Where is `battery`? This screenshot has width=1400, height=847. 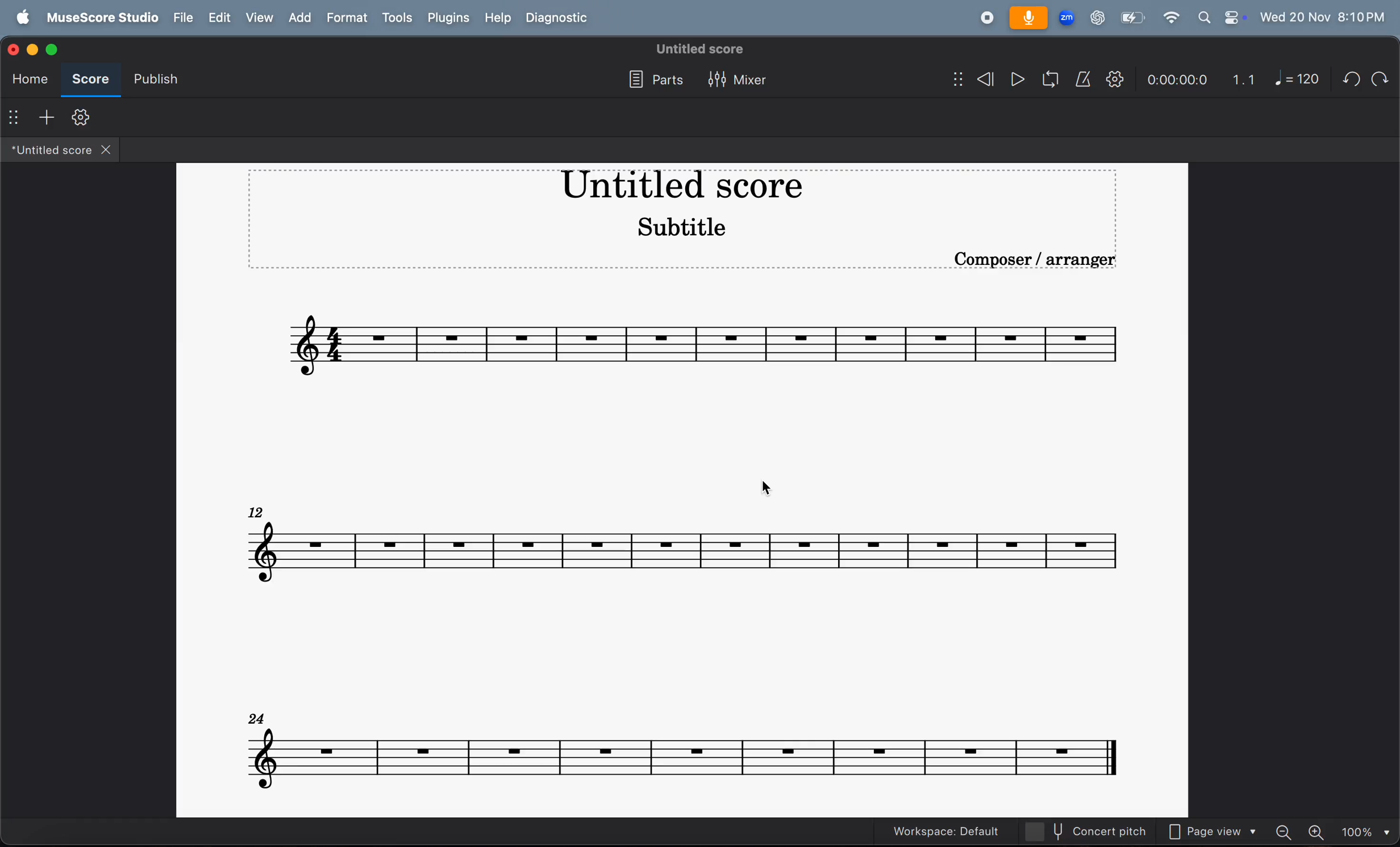
battery is located at coordinates (1132, 20).